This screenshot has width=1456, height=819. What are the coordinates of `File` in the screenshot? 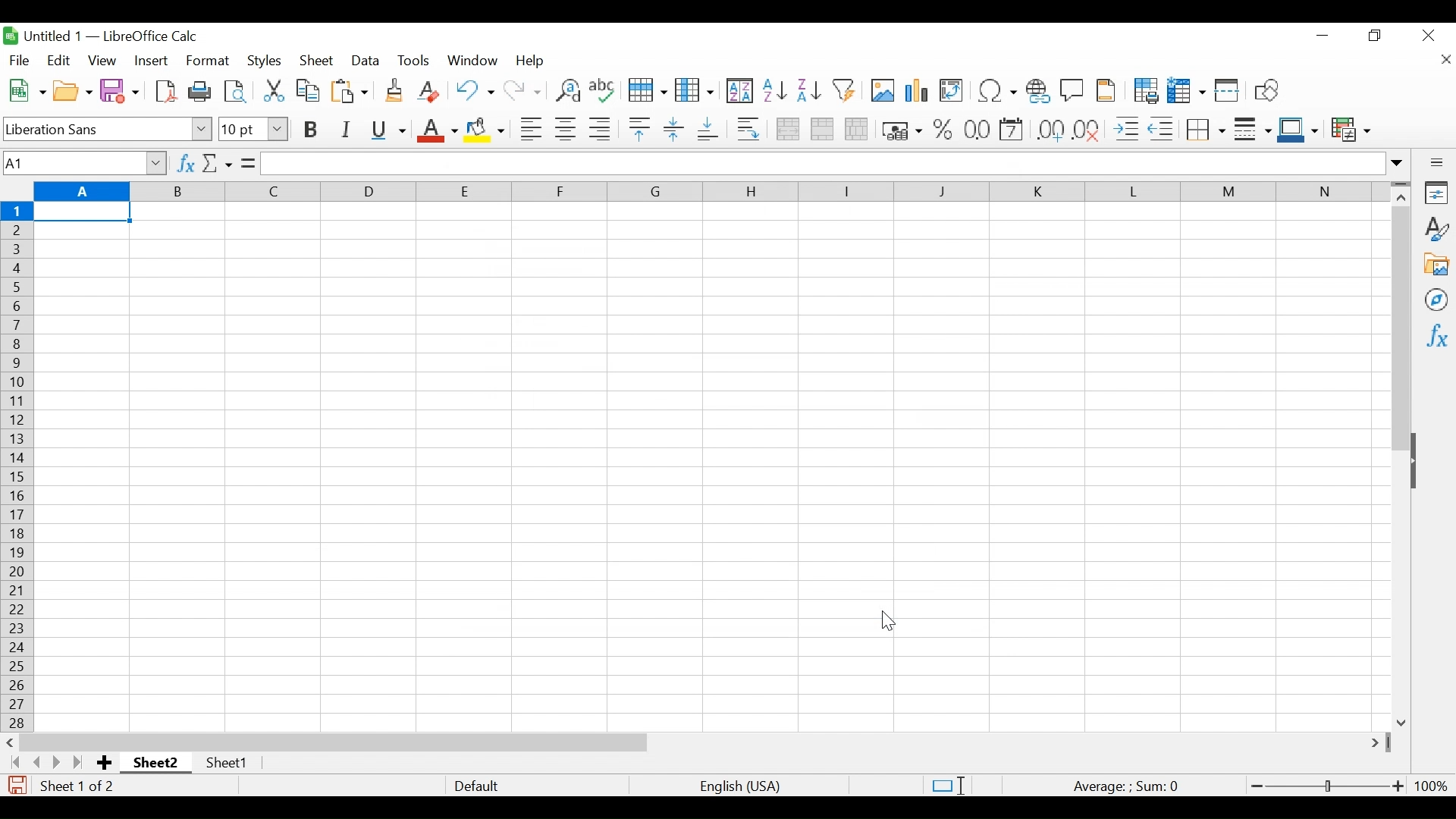 It's located at (21, 60).